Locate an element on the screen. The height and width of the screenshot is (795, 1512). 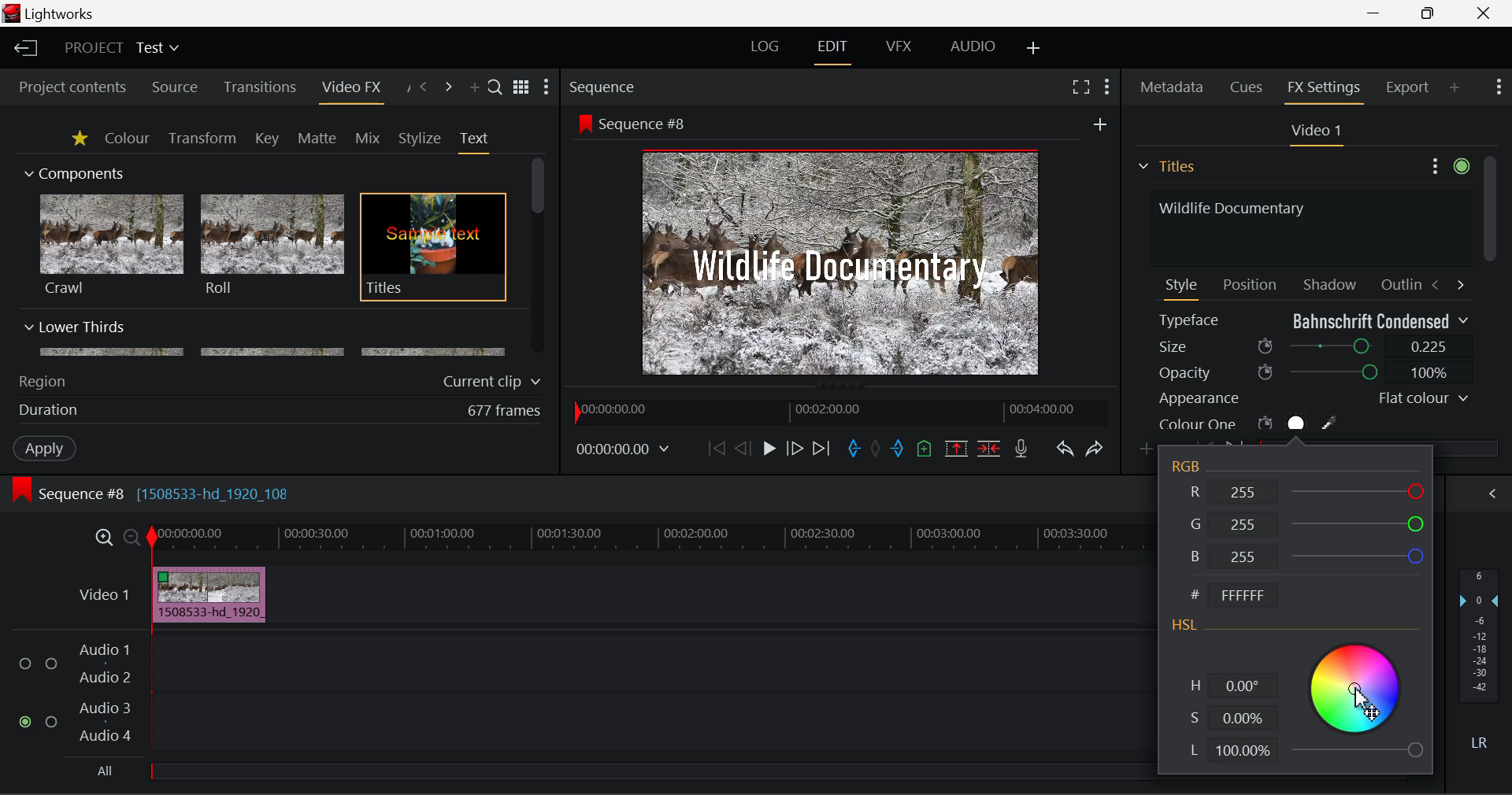
Text Size Updated in Preview is located at coordinates (844, 265).